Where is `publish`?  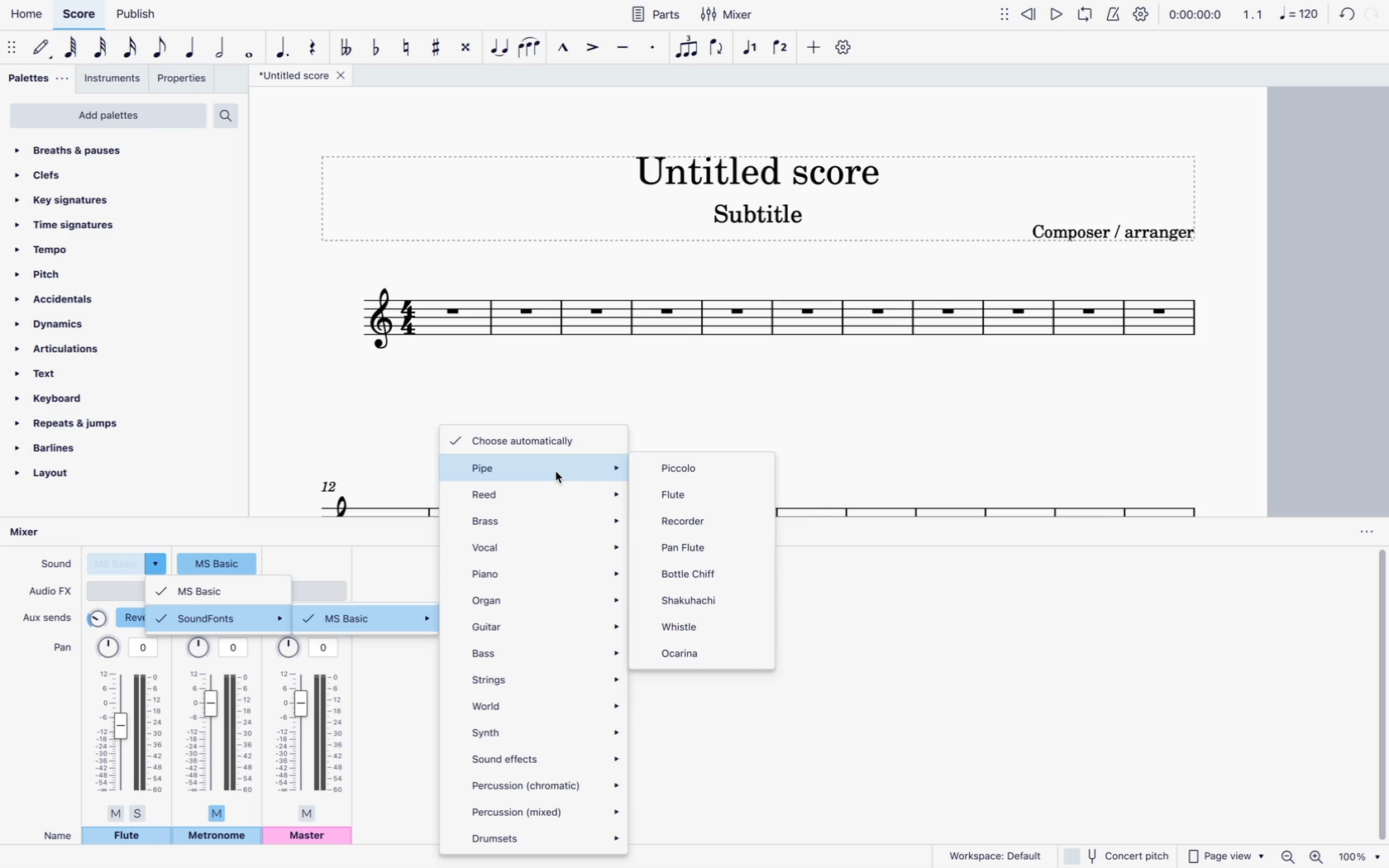 publish is located at coordinates (139, 13).